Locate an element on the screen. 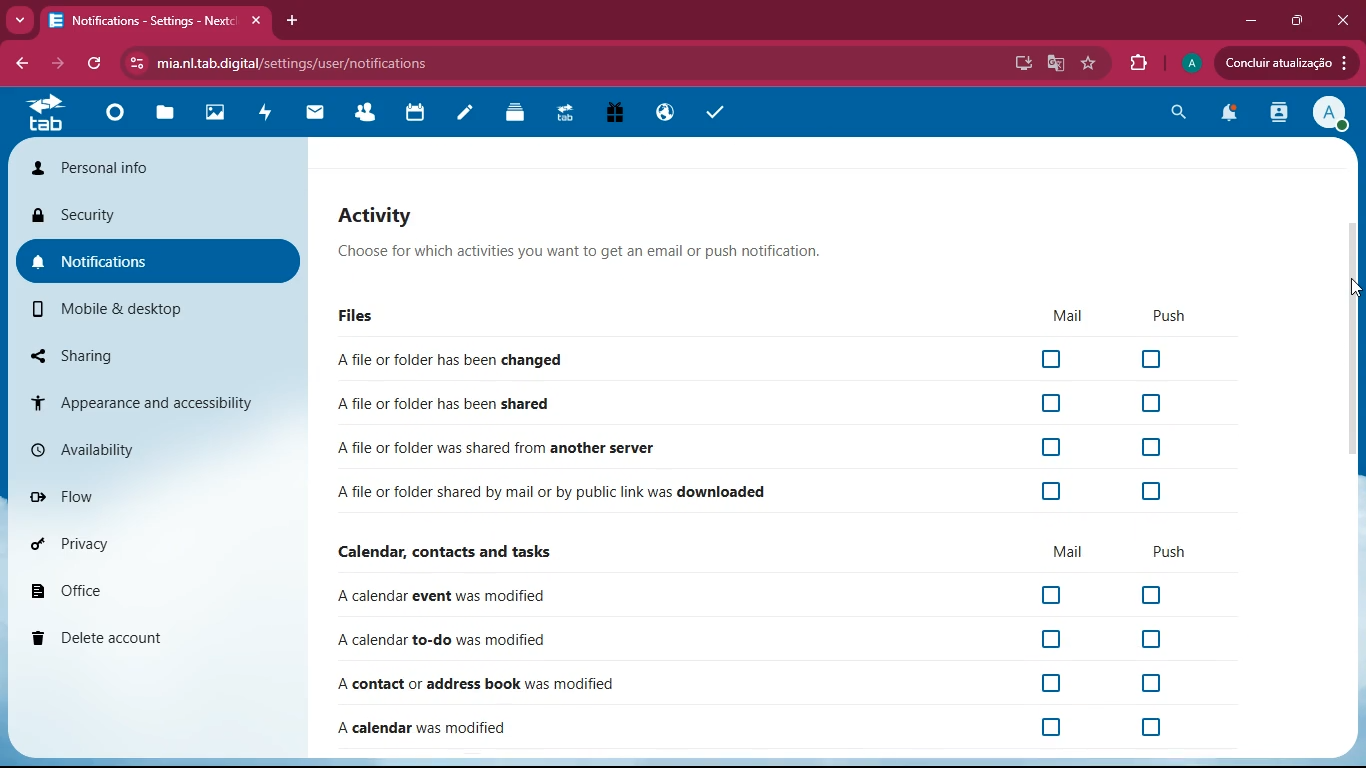  appearance and accessibility is located at coordinates (156, 401).